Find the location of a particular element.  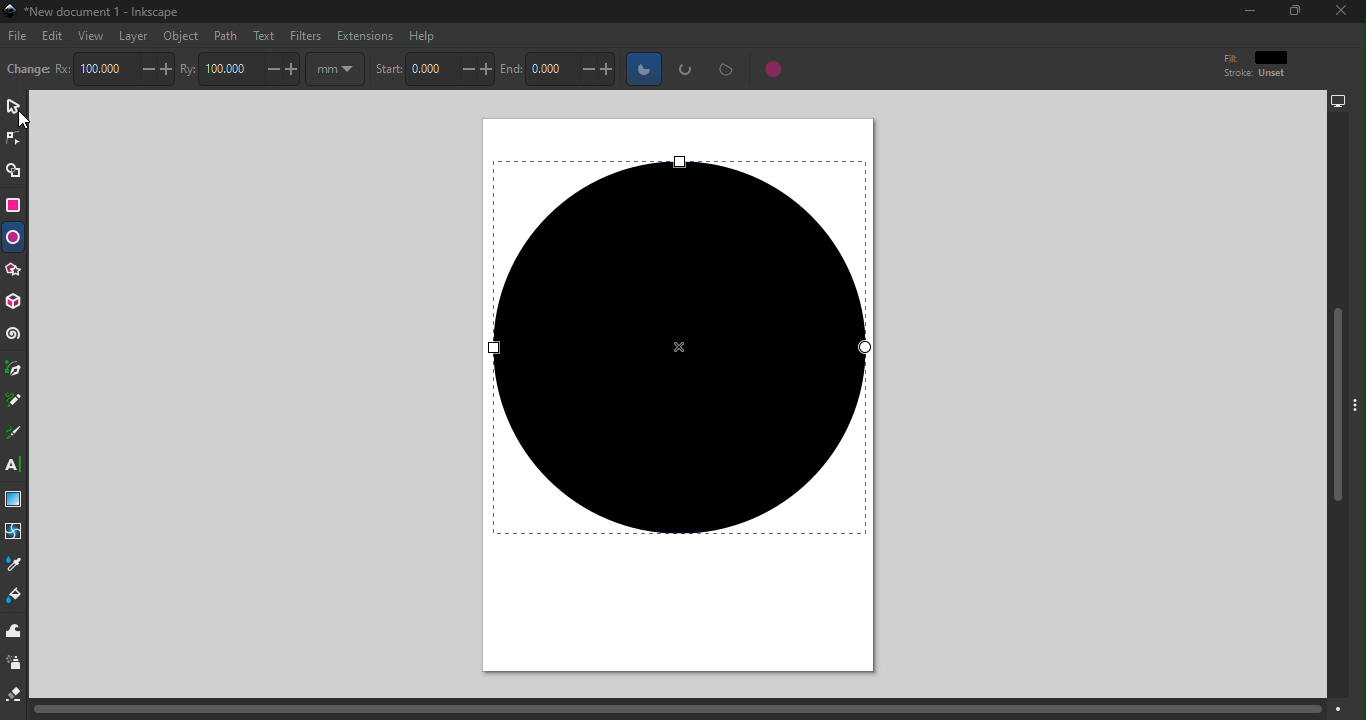

Unset stroke is located at coordinates (1273, 74).